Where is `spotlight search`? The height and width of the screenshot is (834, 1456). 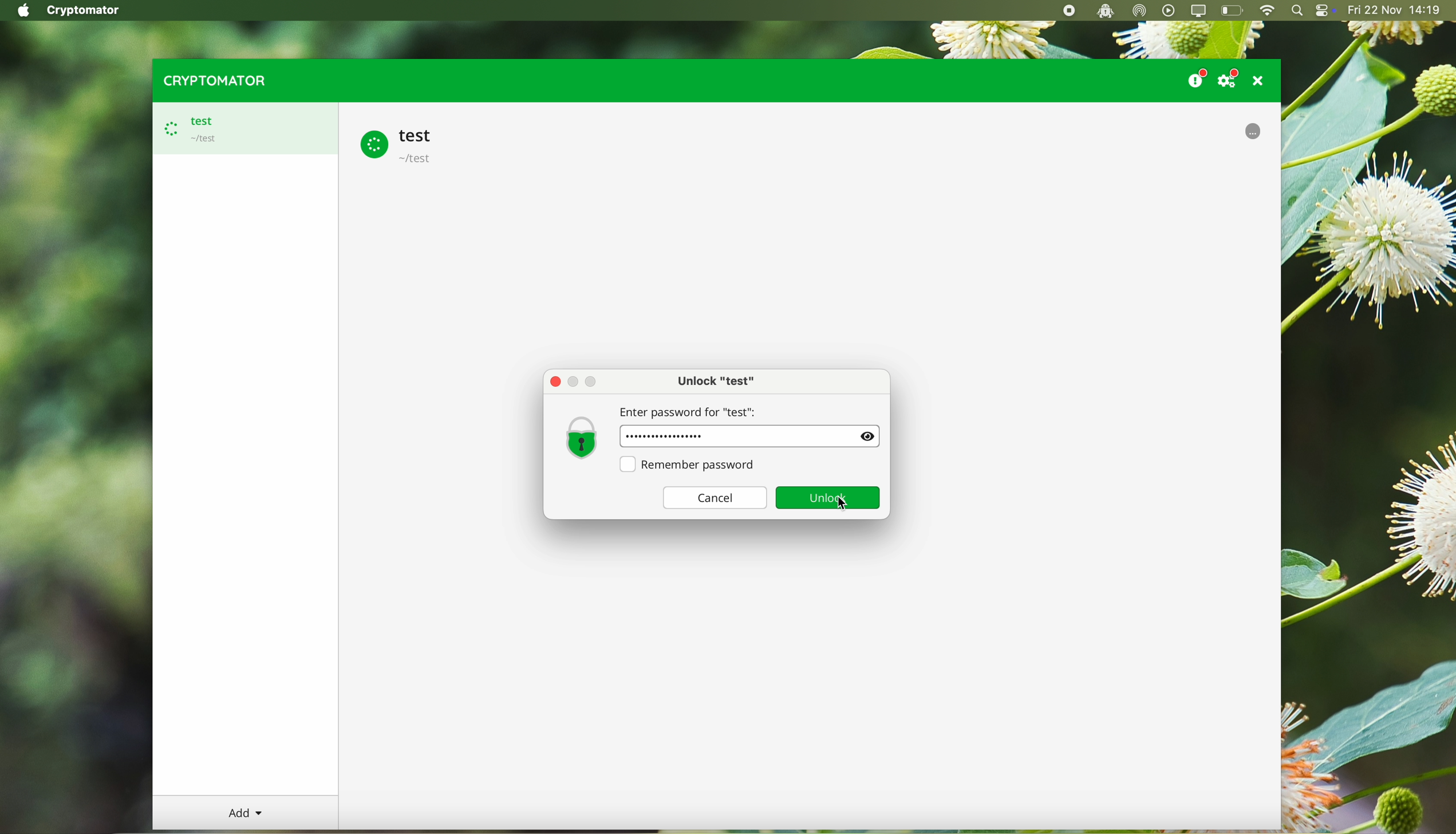
spotlight search is located at coordinates (1297, 11).